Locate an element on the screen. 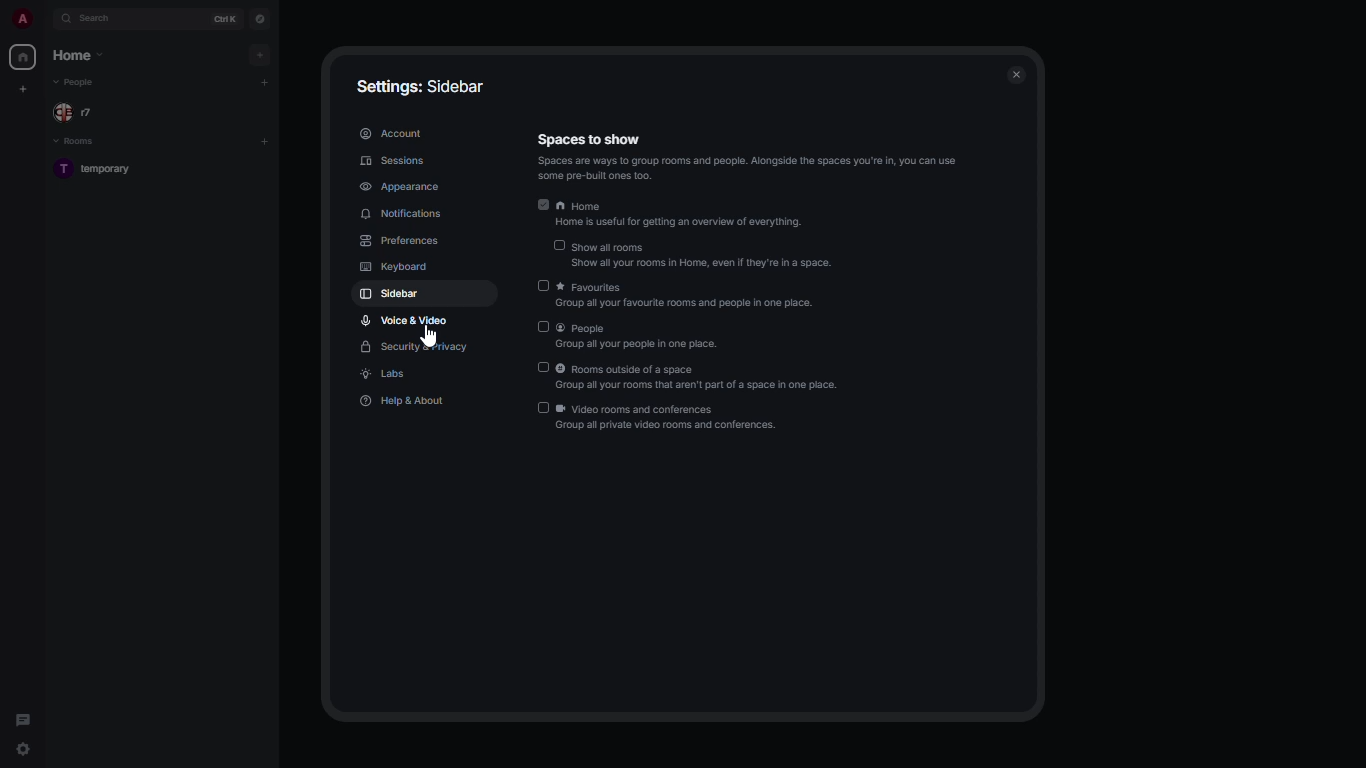 This screenshot has width=1366, height=768. ctrl K is located at coordinates (226, 19).